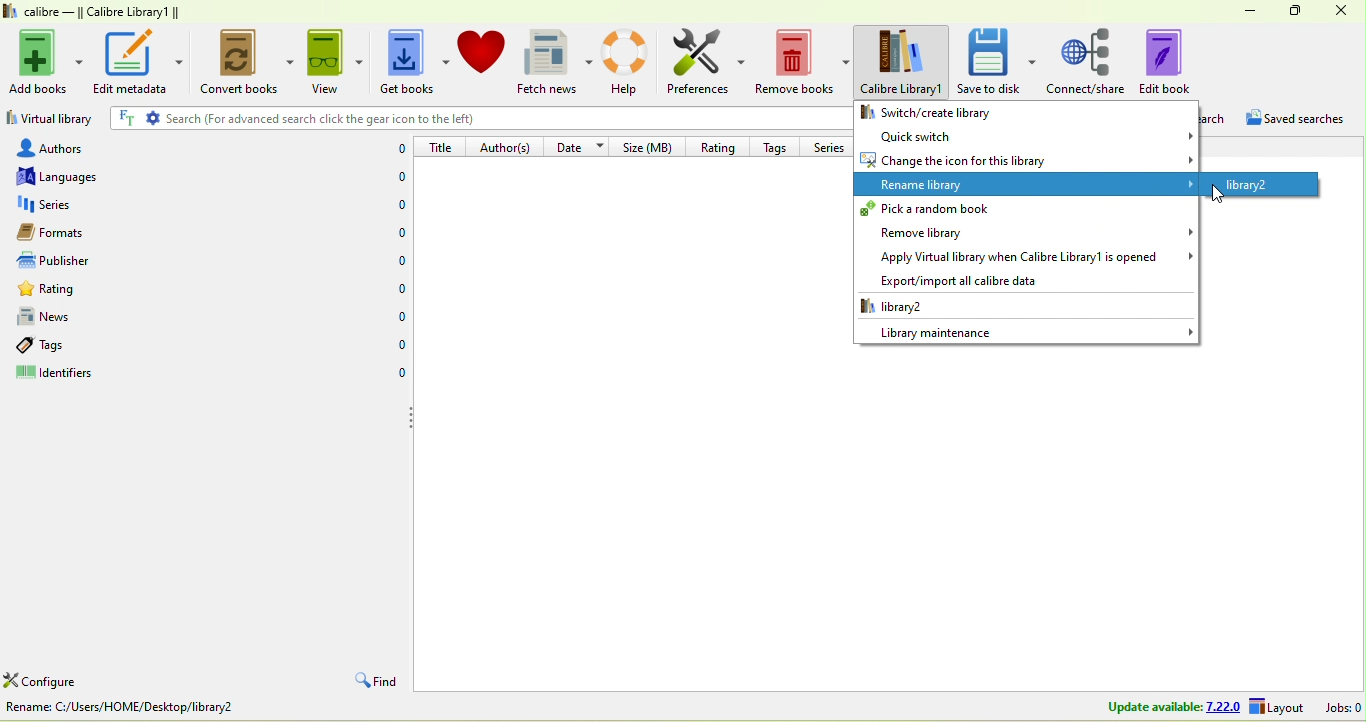 The width and height of the screenshot is (1366, 722). Describe the element at coordinates (84, 205) in the screenshot. I see `series` at that location.